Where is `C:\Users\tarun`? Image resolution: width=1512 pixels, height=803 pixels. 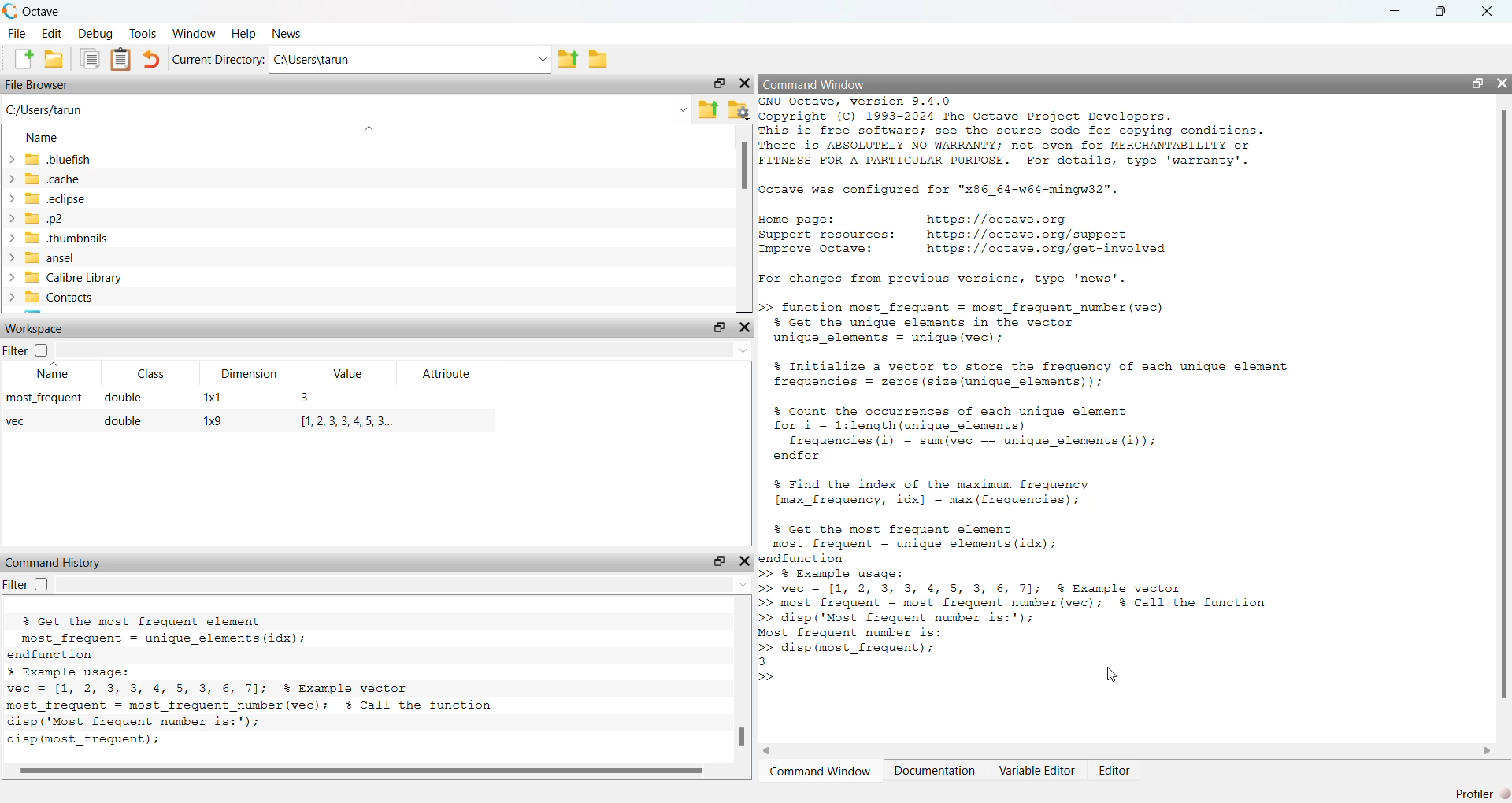 C:\Users\tarun is located at coordinates (399, 60).